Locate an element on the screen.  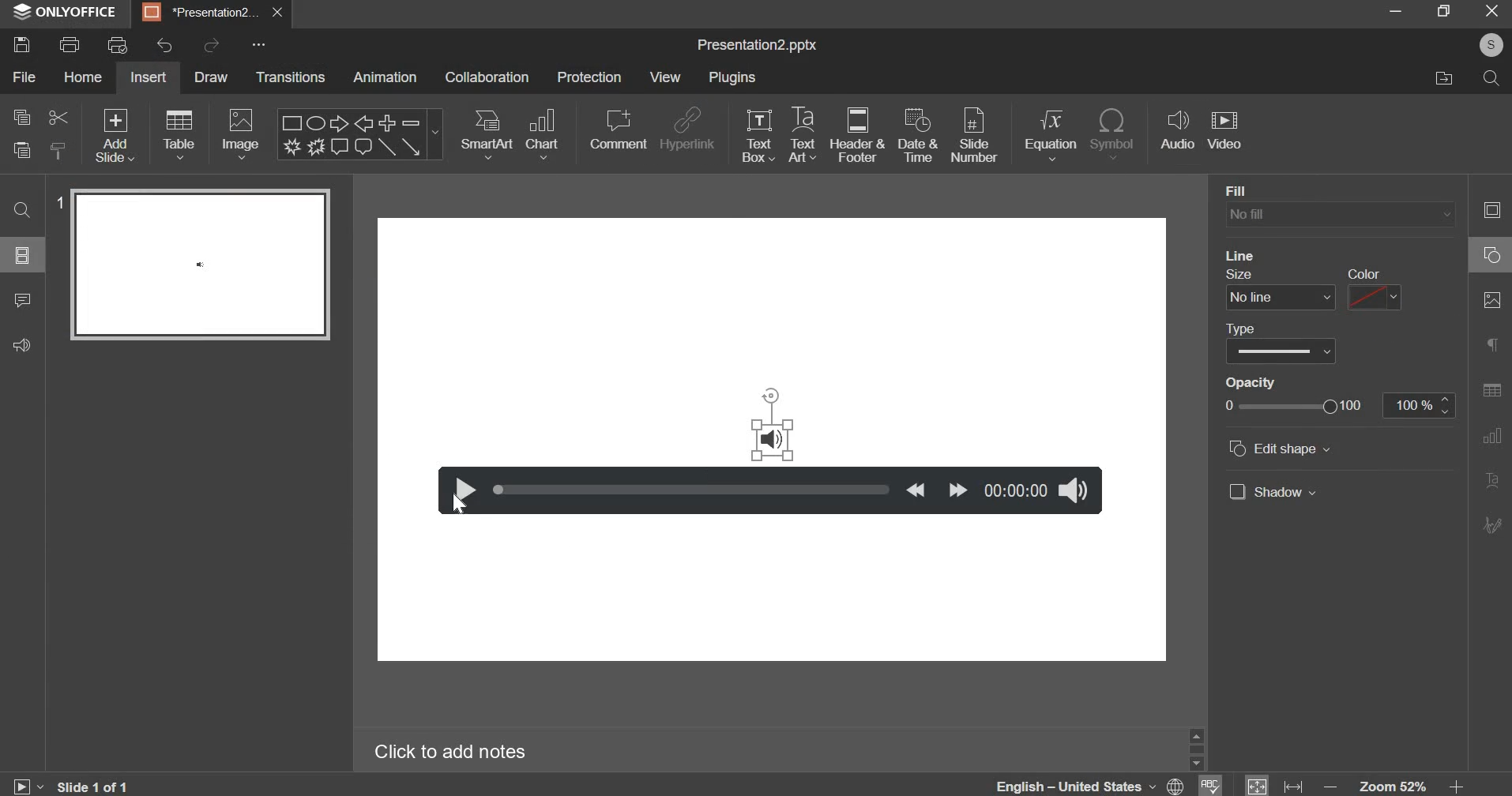
redo is located at coordinates (213, 45).